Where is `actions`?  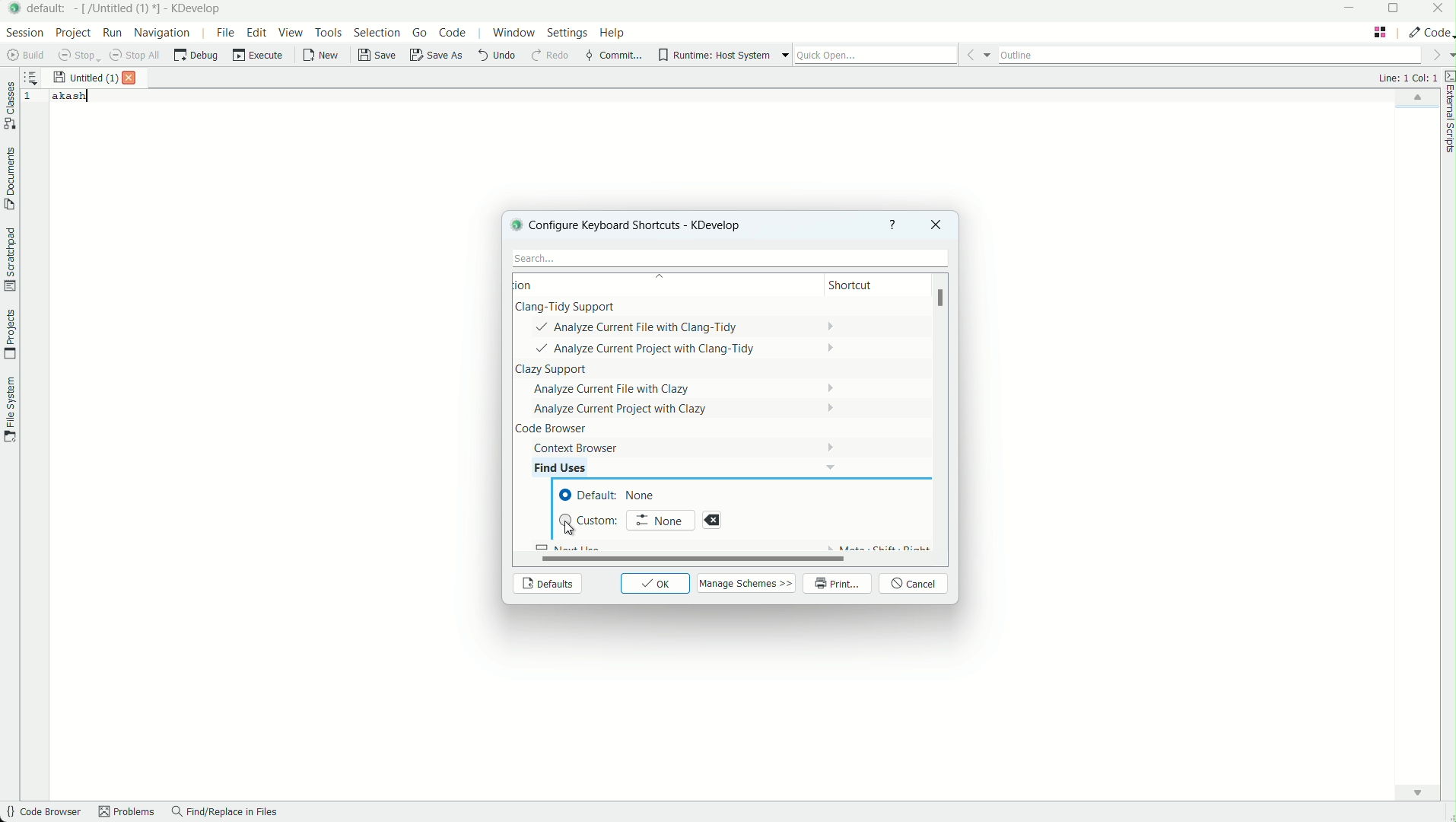 actions is located at coordinates (669, 378).